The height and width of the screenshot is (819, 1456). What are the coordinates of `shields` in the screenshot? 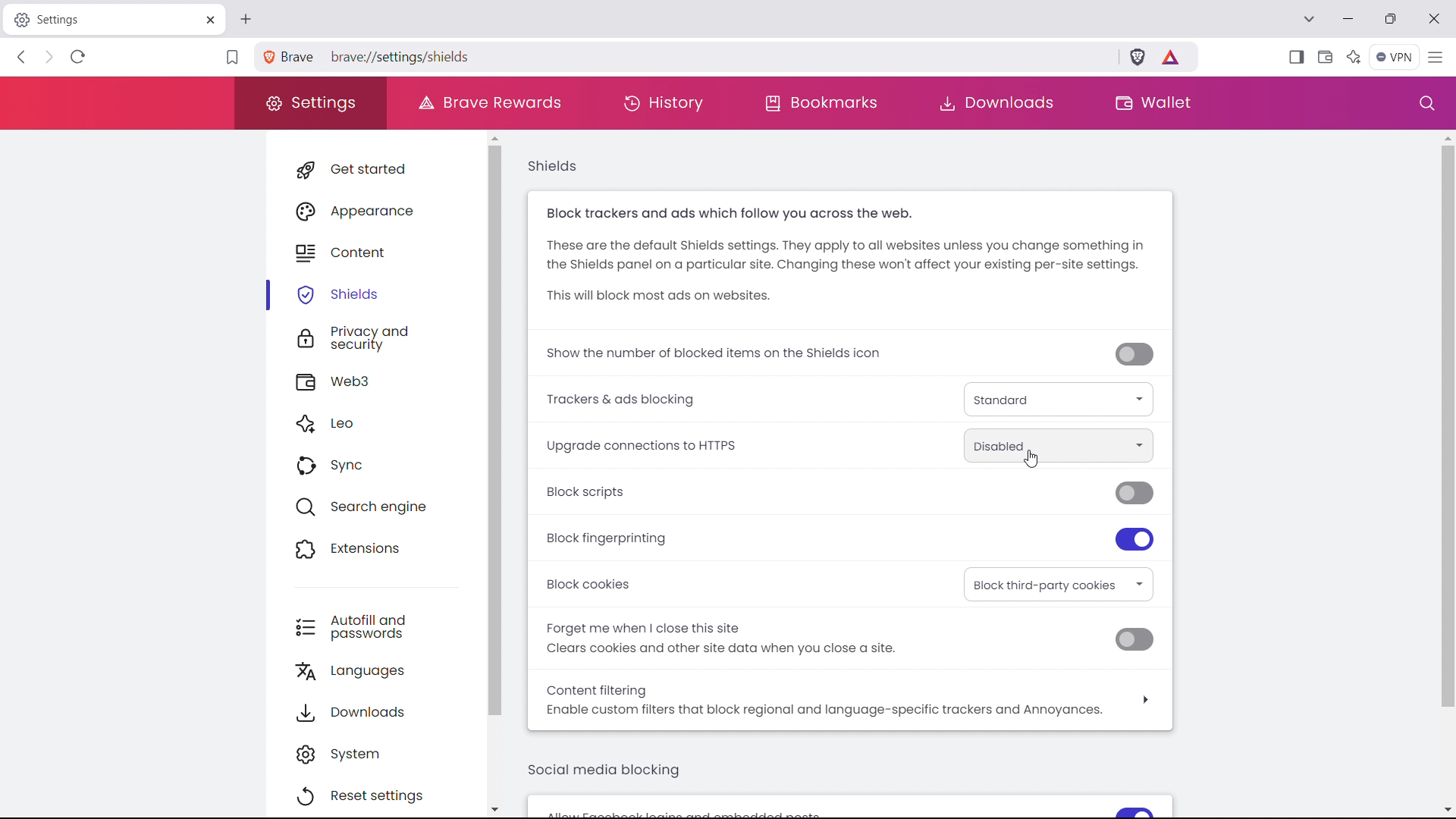 It's located at (554, 167).